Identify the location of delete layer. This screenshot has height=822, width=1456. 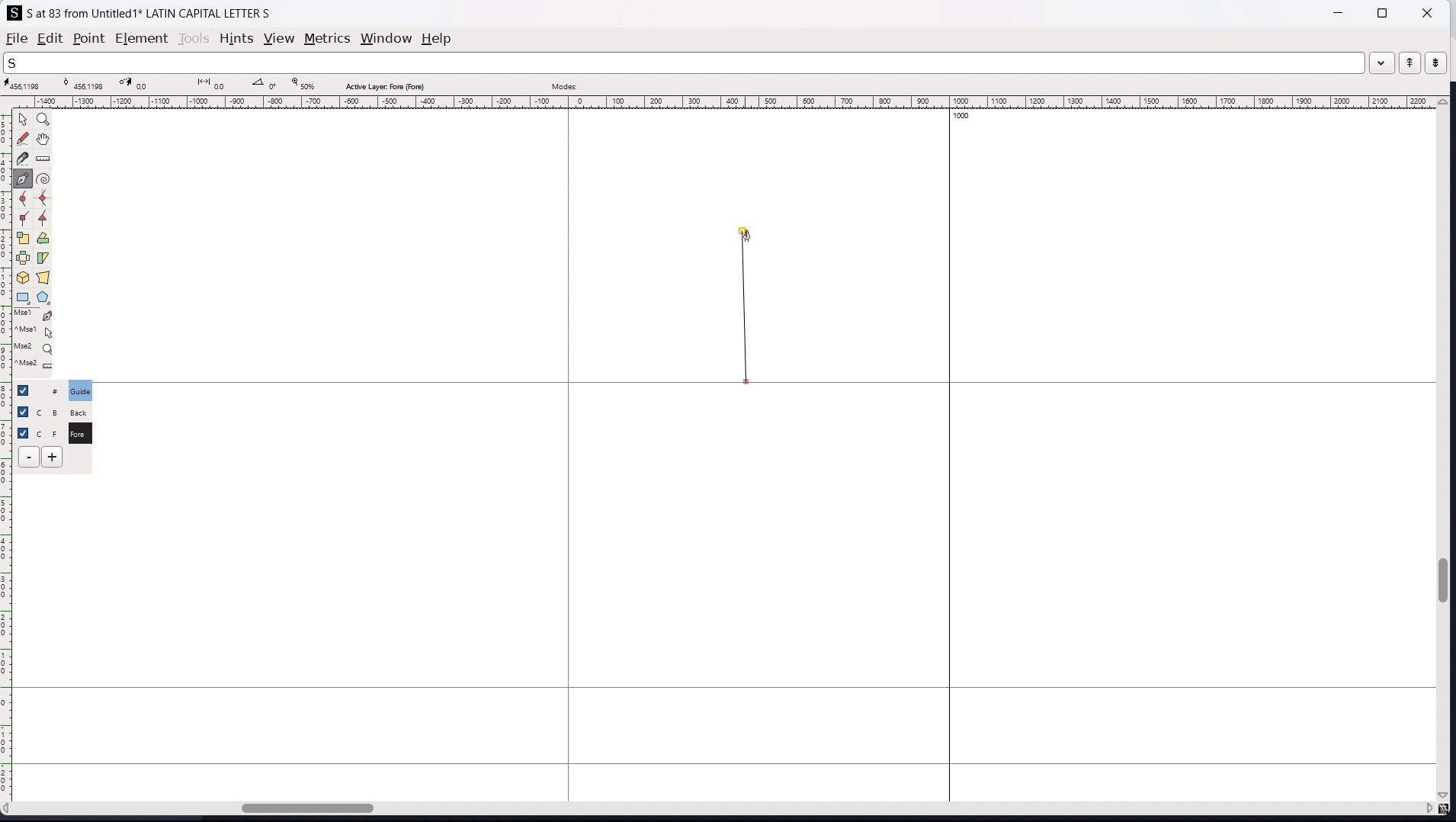
(29, 458).